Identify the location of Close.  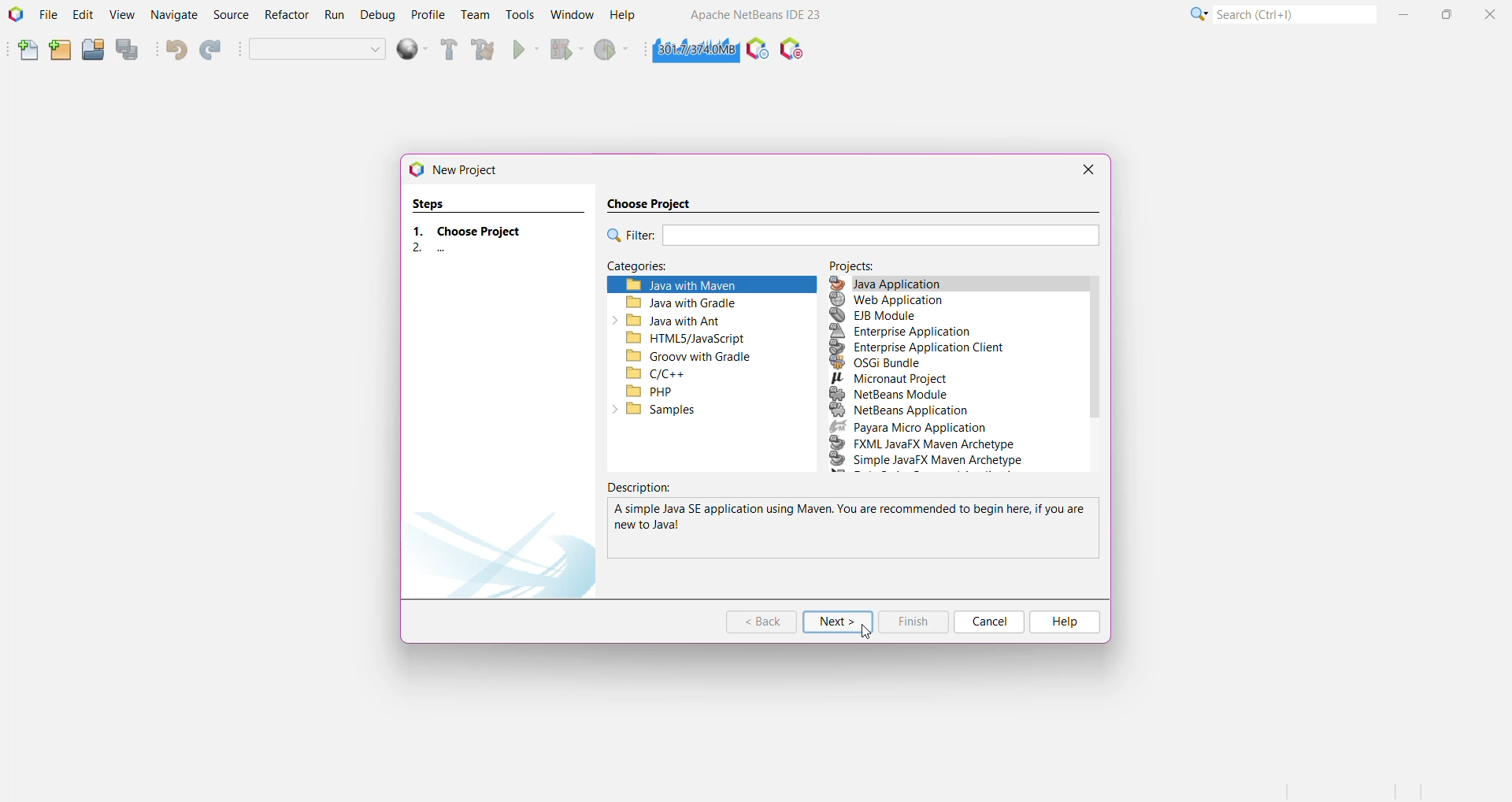
(1088, 170).